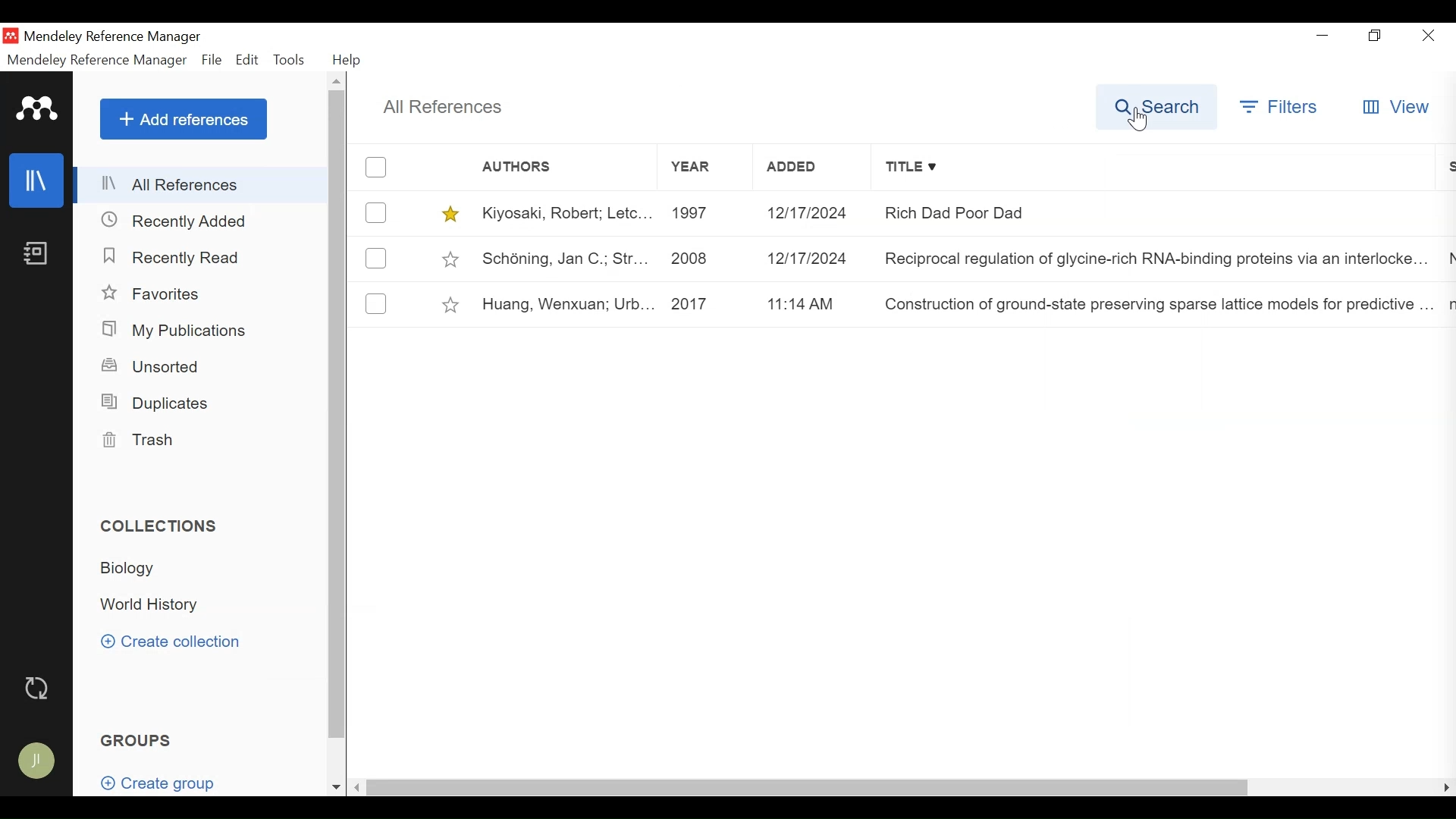 The width and height of the screenshot is (1456, 819). Describe the element at coordinates (38, 180) in the screenshot. I see `Library` at that location.